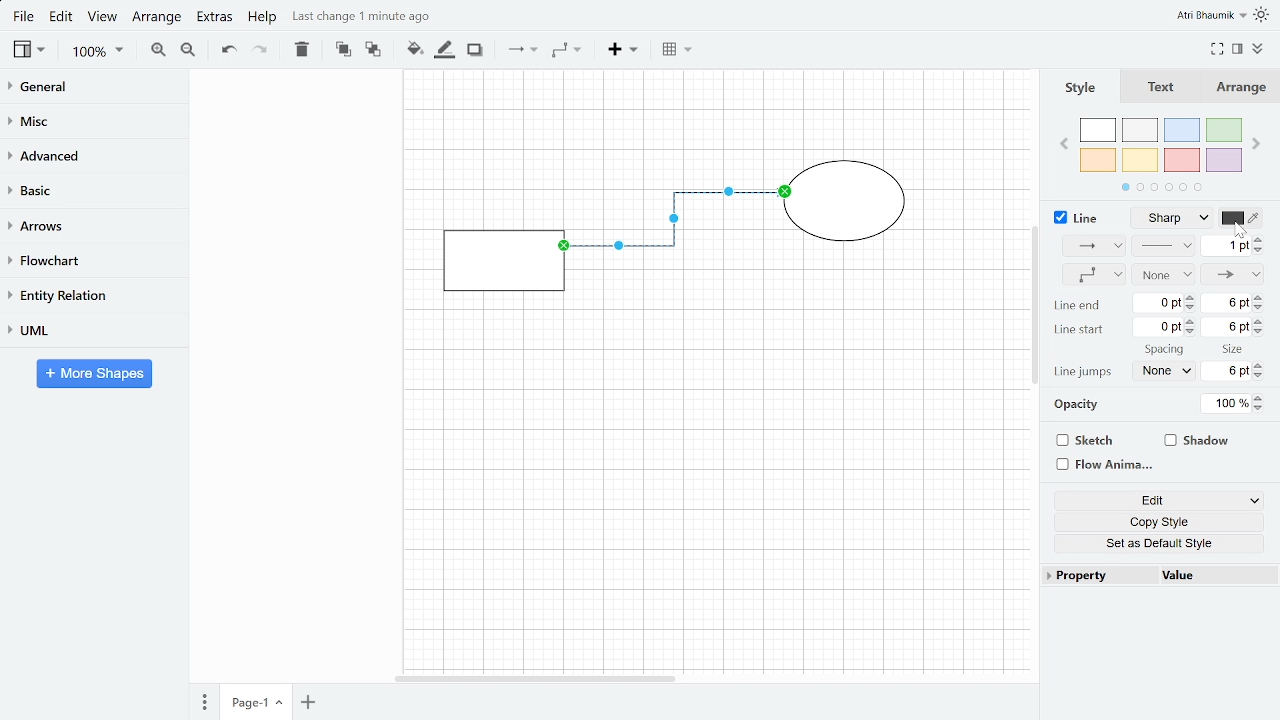 This screenshot has width=1280, height=720. Describe the element at coordinates (1163, 371) in the screenshot. I see `Current line jumps` at that location.